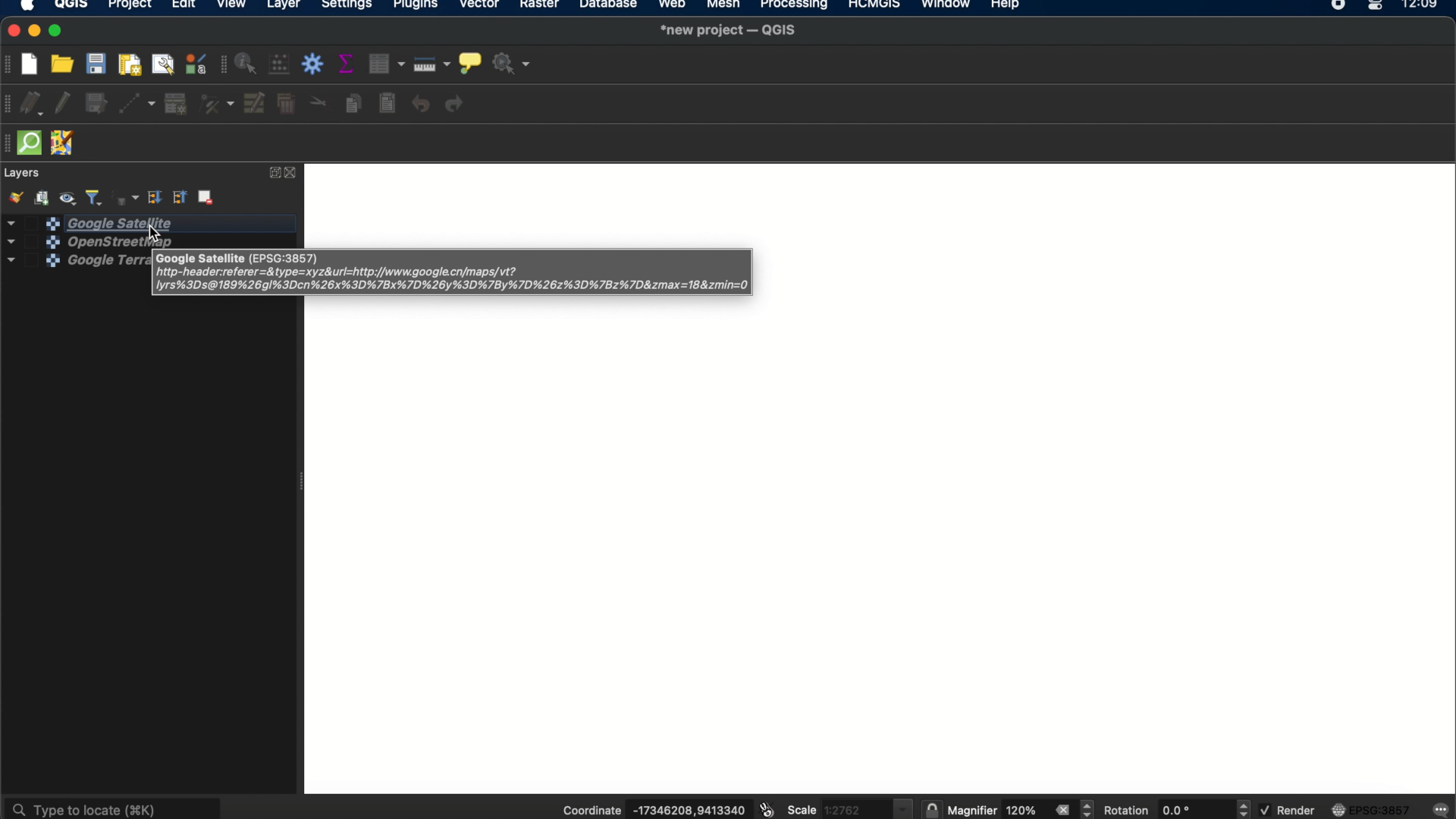  Describe the element at coordinates (433, 64) in the screenshot. I see `measure line` at that location.